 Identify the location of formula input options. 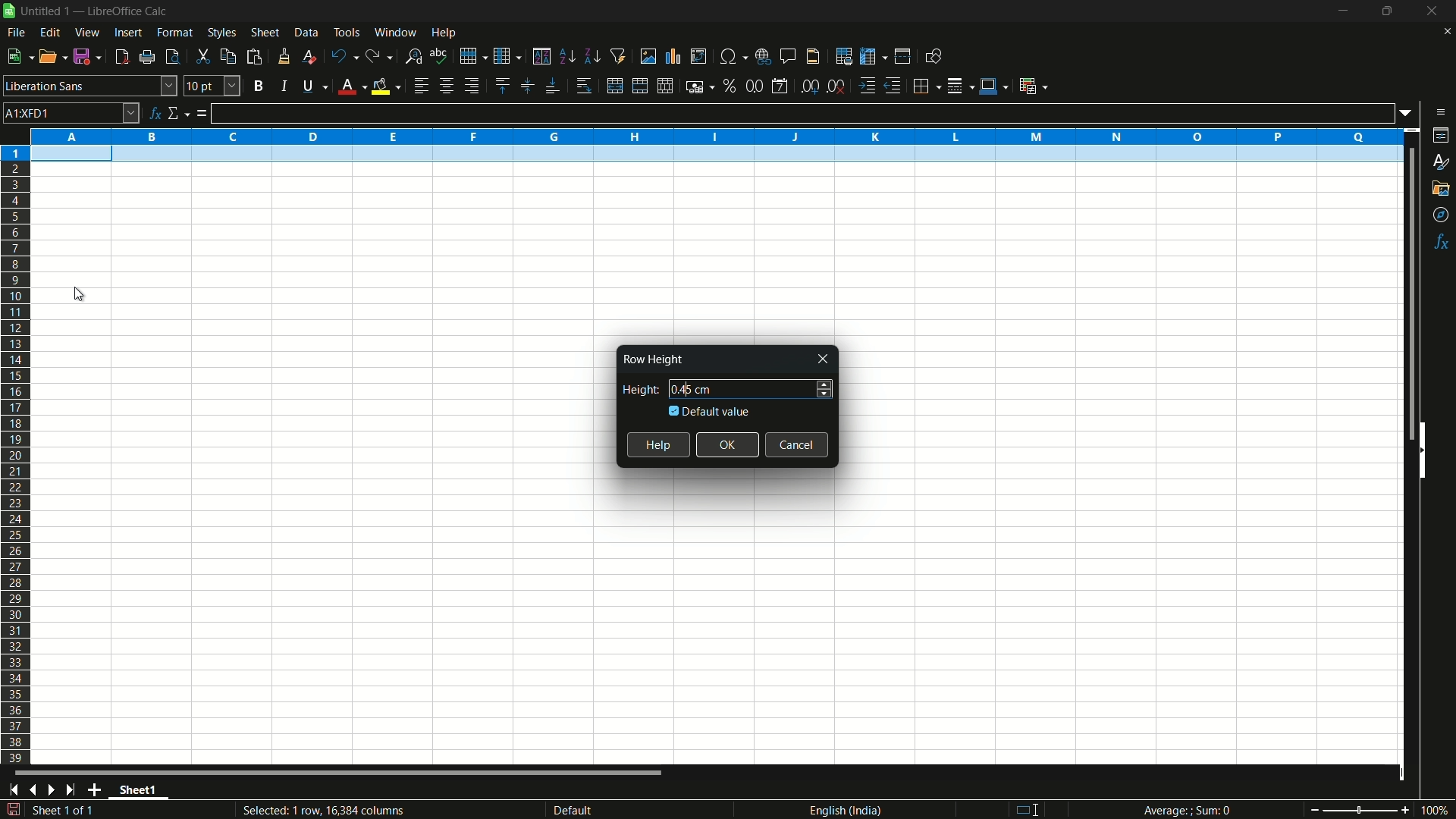
(1410, 112).